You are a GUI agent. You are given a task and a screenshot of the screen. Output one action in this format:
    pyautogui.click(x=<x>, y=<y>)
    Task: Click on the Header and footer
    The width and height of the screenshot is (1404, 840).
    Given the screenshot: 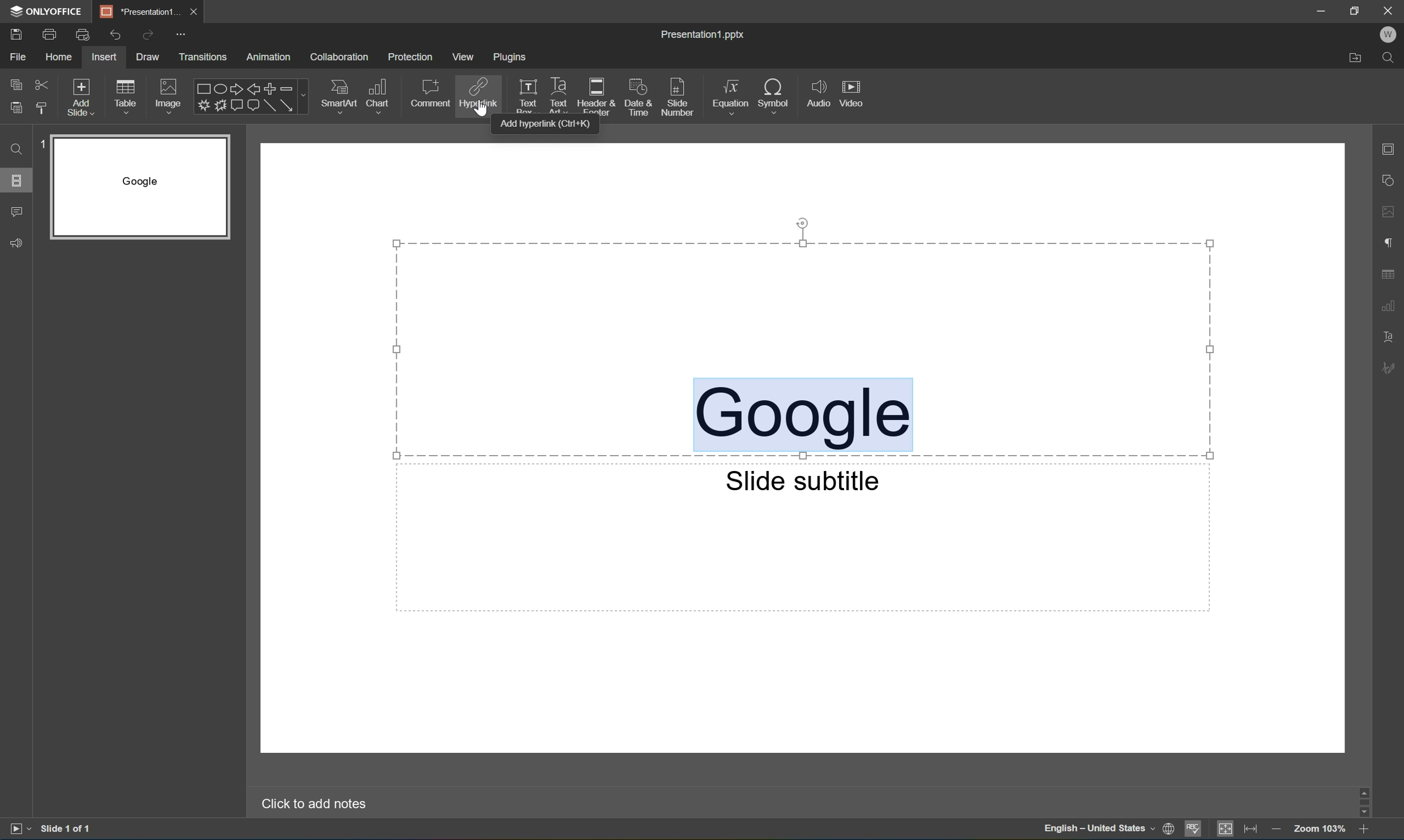 What is the action you would take?
    pyautogui.click(x=598, y=96)
    